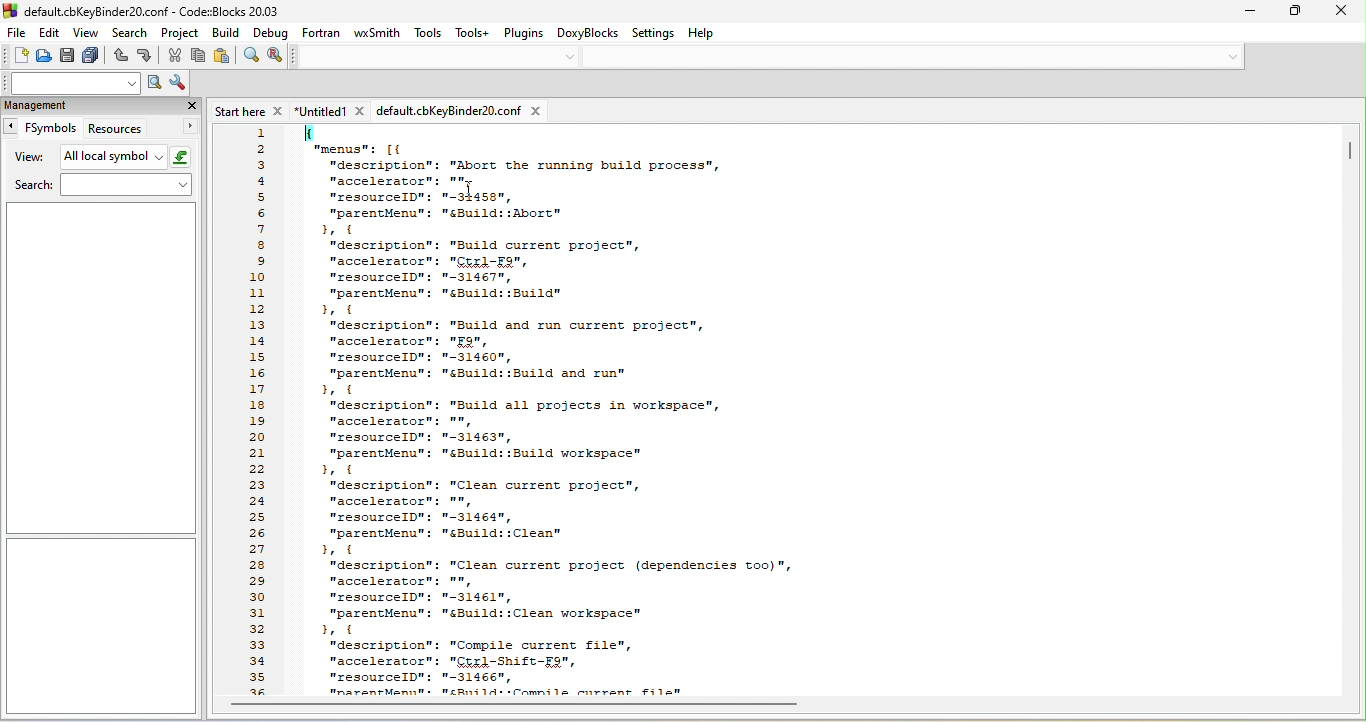  What do you see at coordinates (657, 34) in the screenshot?
I see `setting` at bounding box center [657, 34].